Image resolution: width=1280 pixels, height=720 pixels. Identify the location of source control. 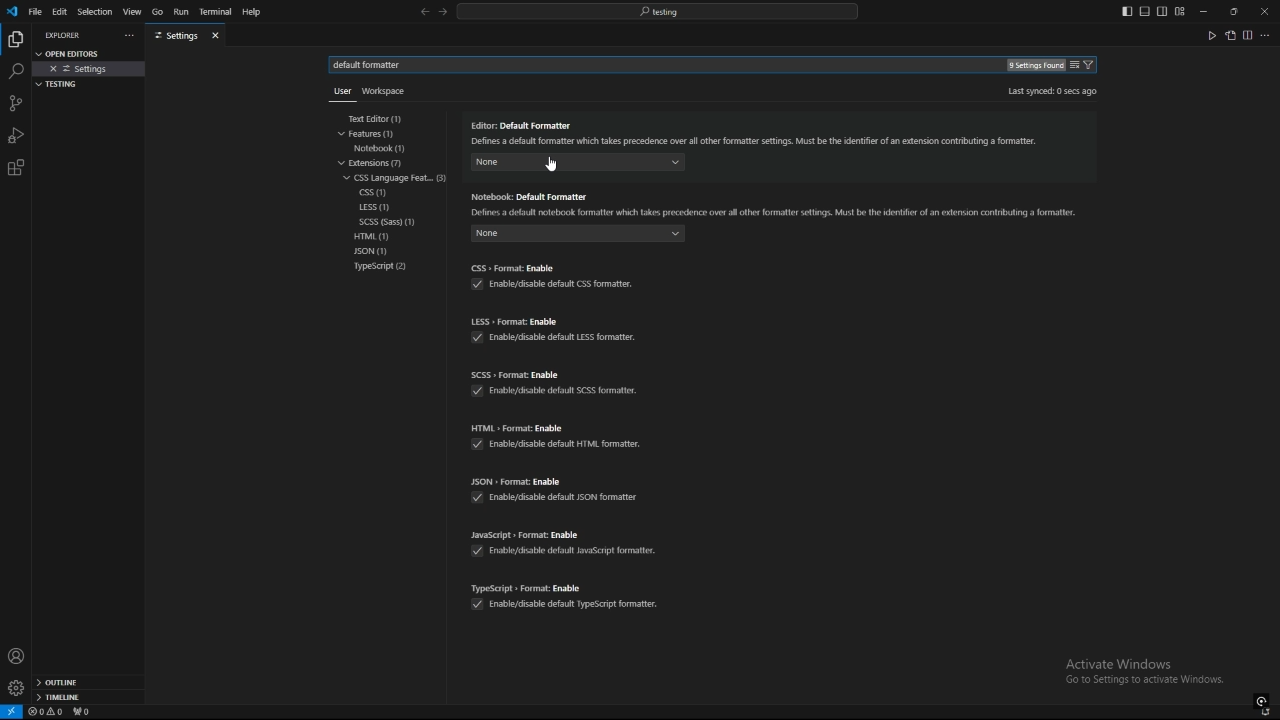
(15, 103).